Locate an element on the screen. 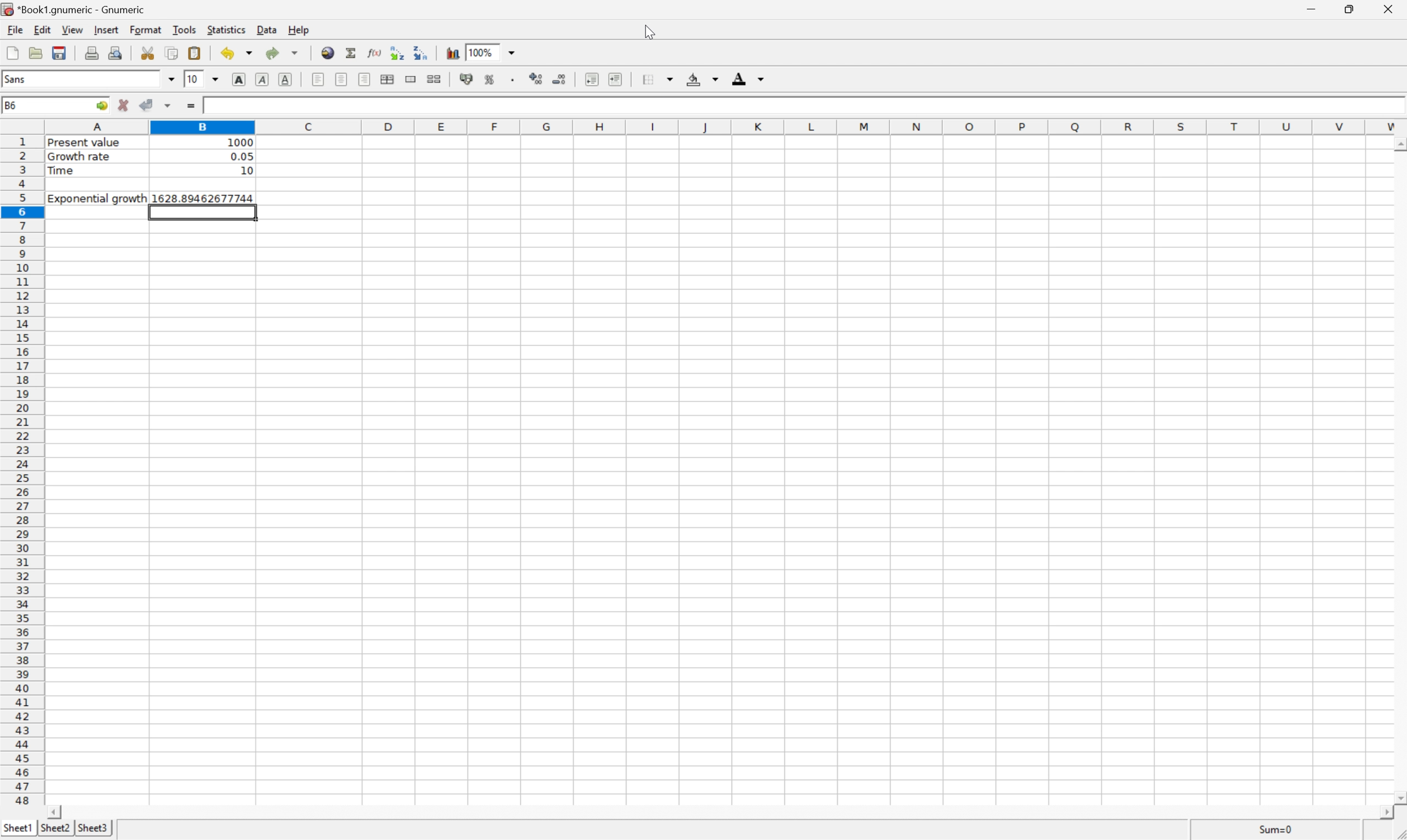 The width and height of the screenshot is (1407, 840). 1628.89462677744 is located at coordinates (204, 199).